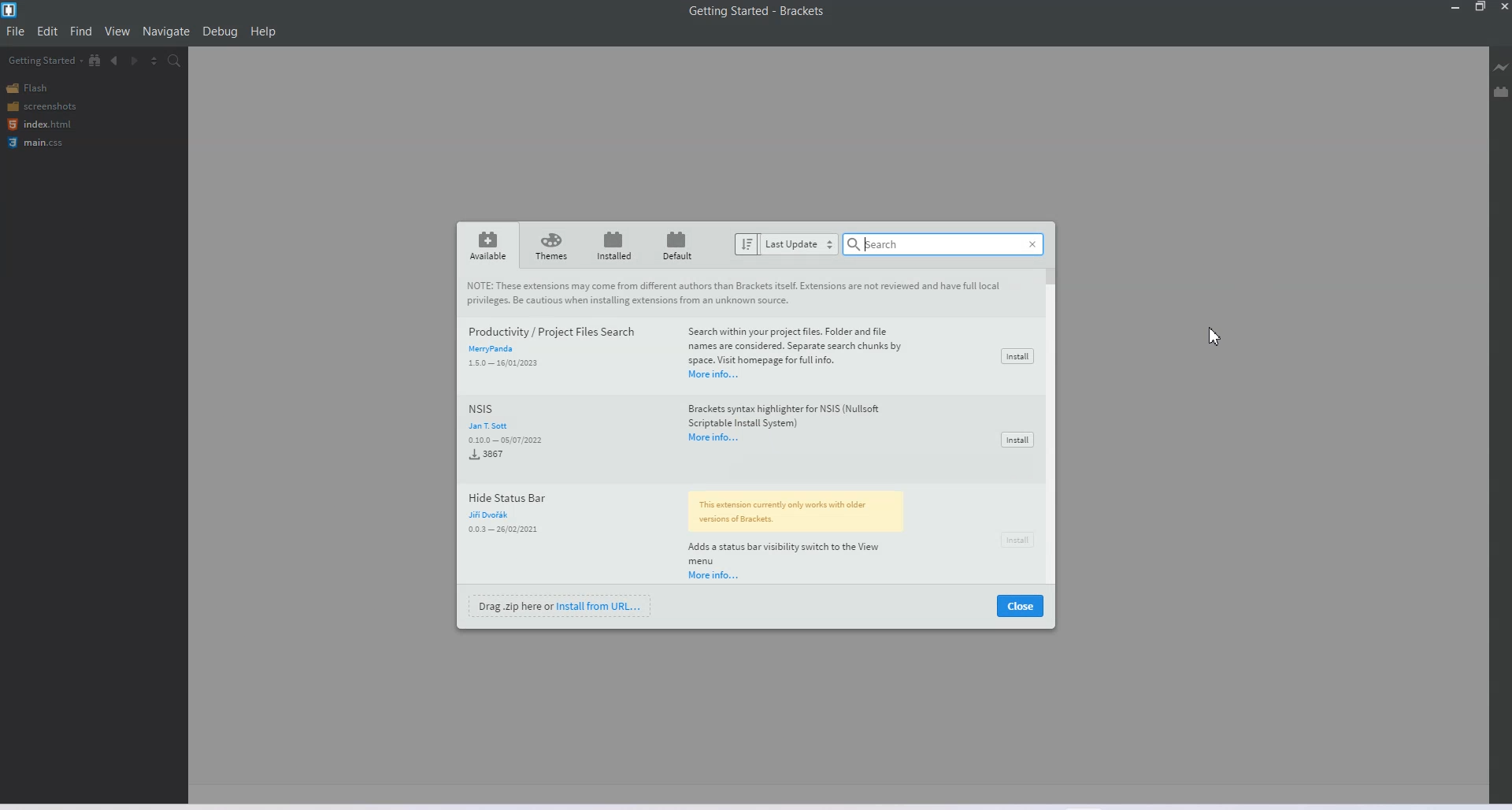 This screenshot has height=810, width=1512. I want to click on more info, so click(716, 576).